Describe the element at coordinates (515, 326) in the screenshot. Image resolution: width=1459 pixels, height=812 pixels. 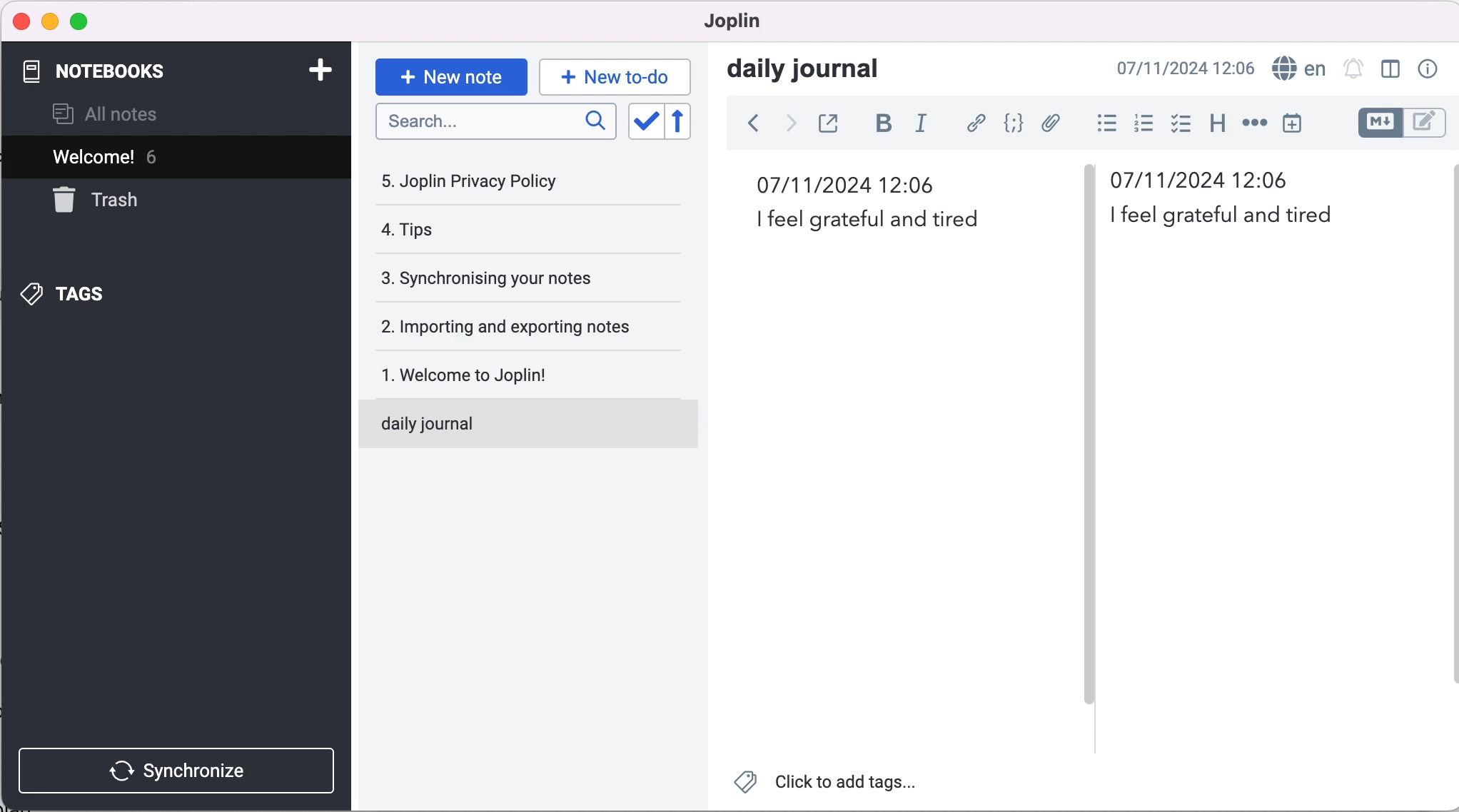
I see `importing and exporting notes` at that location.